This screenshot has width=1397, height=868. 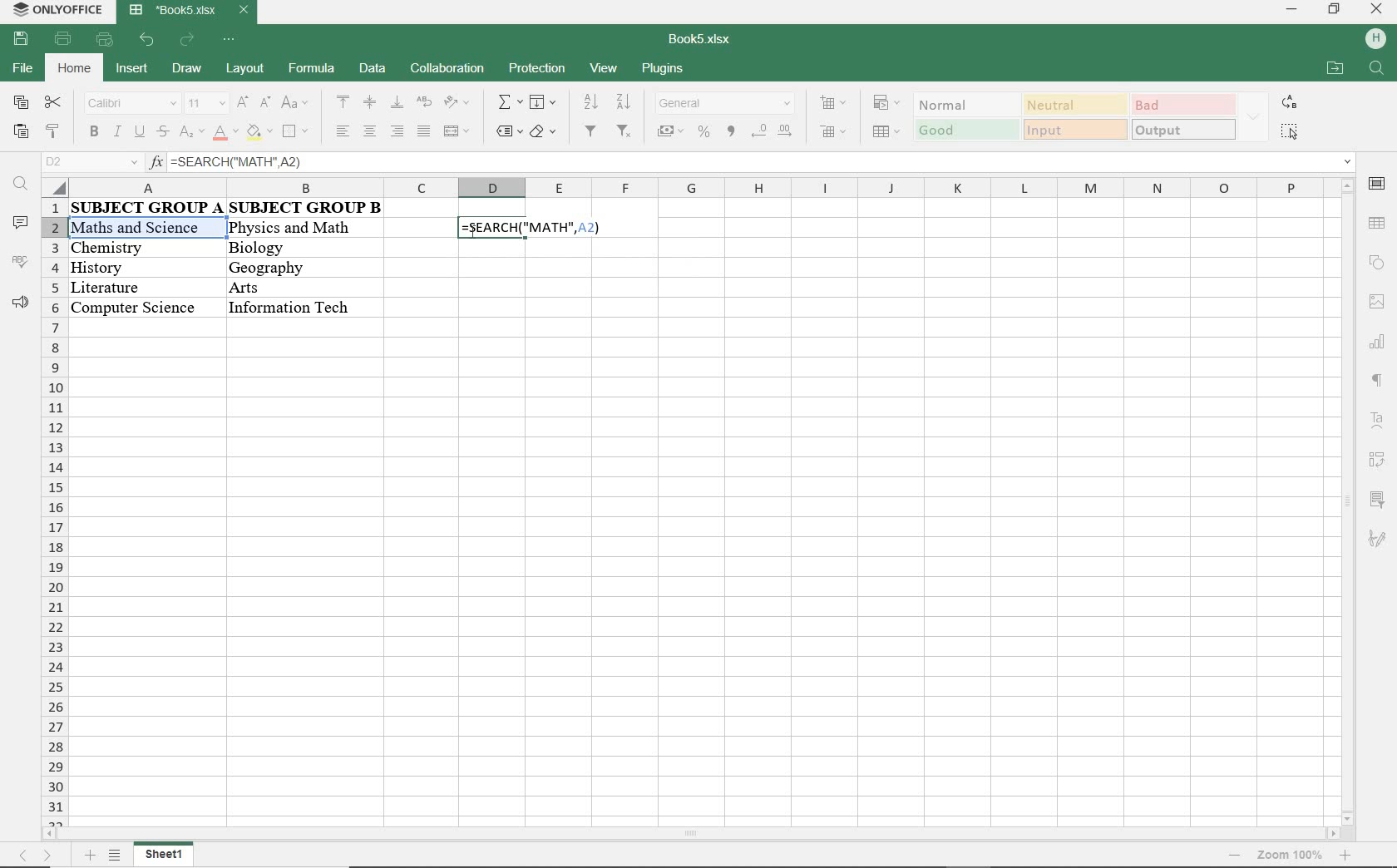 I want to click on collaboration, so click(x=446, y=70).